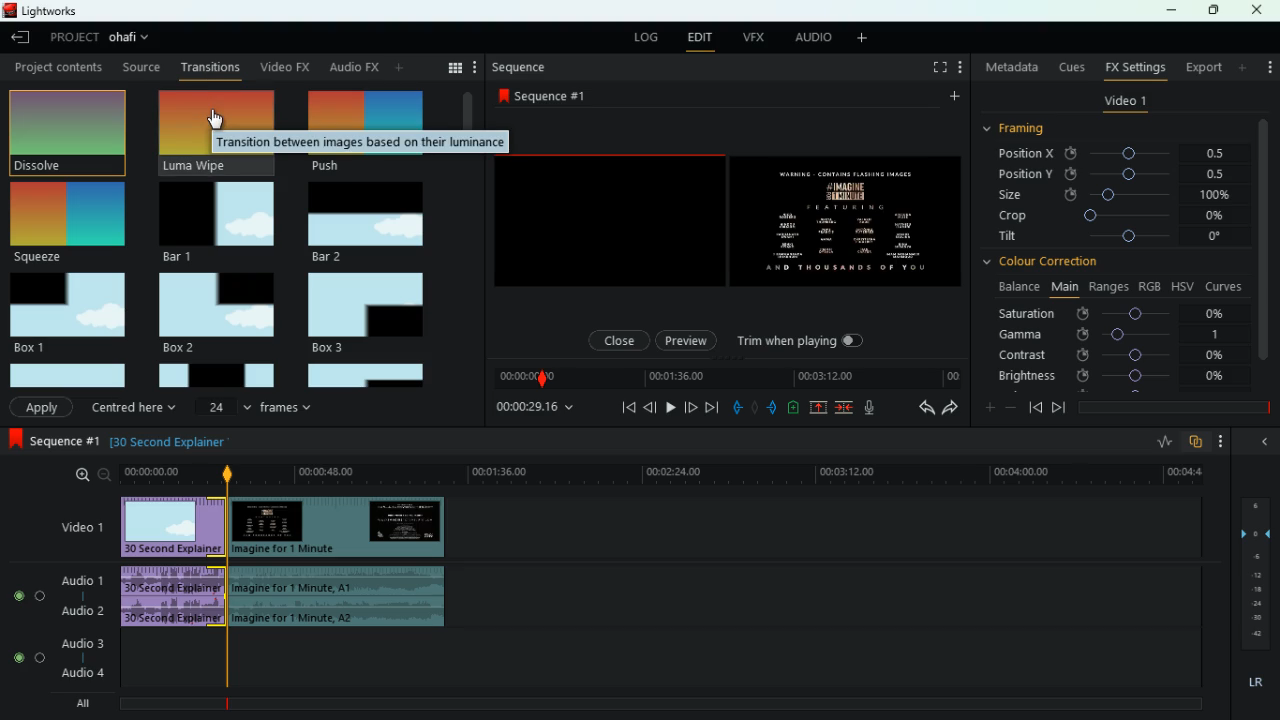 This screenshot has height=720, width=1280. What do you see at coordinates (699, 39) in the screenshot?
I see `edit` at bounding box center [699, 39].